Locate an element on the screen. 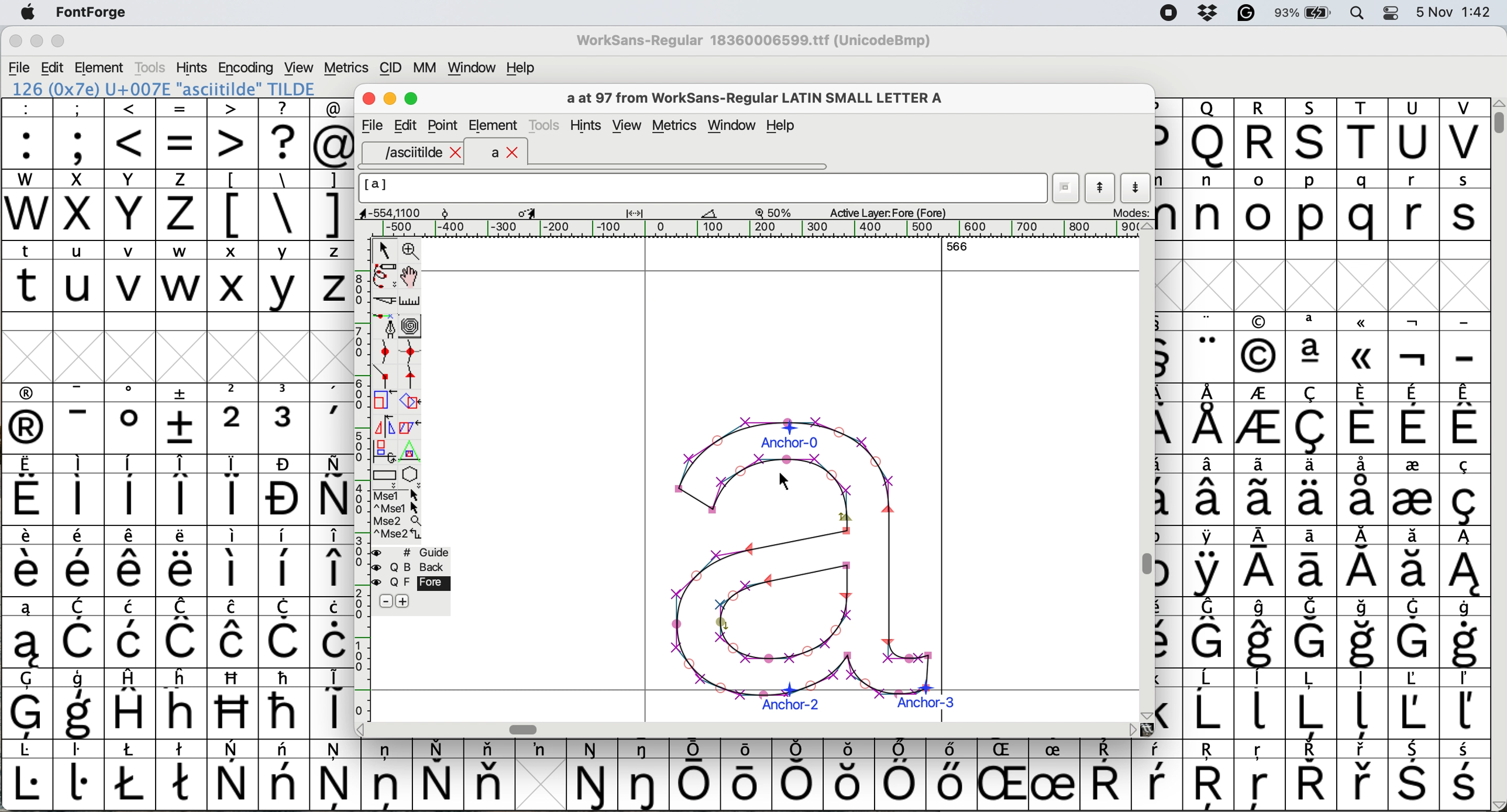 The width and height of the screenshot is (1507, 812). symbol is located at coordinates (696, 775).